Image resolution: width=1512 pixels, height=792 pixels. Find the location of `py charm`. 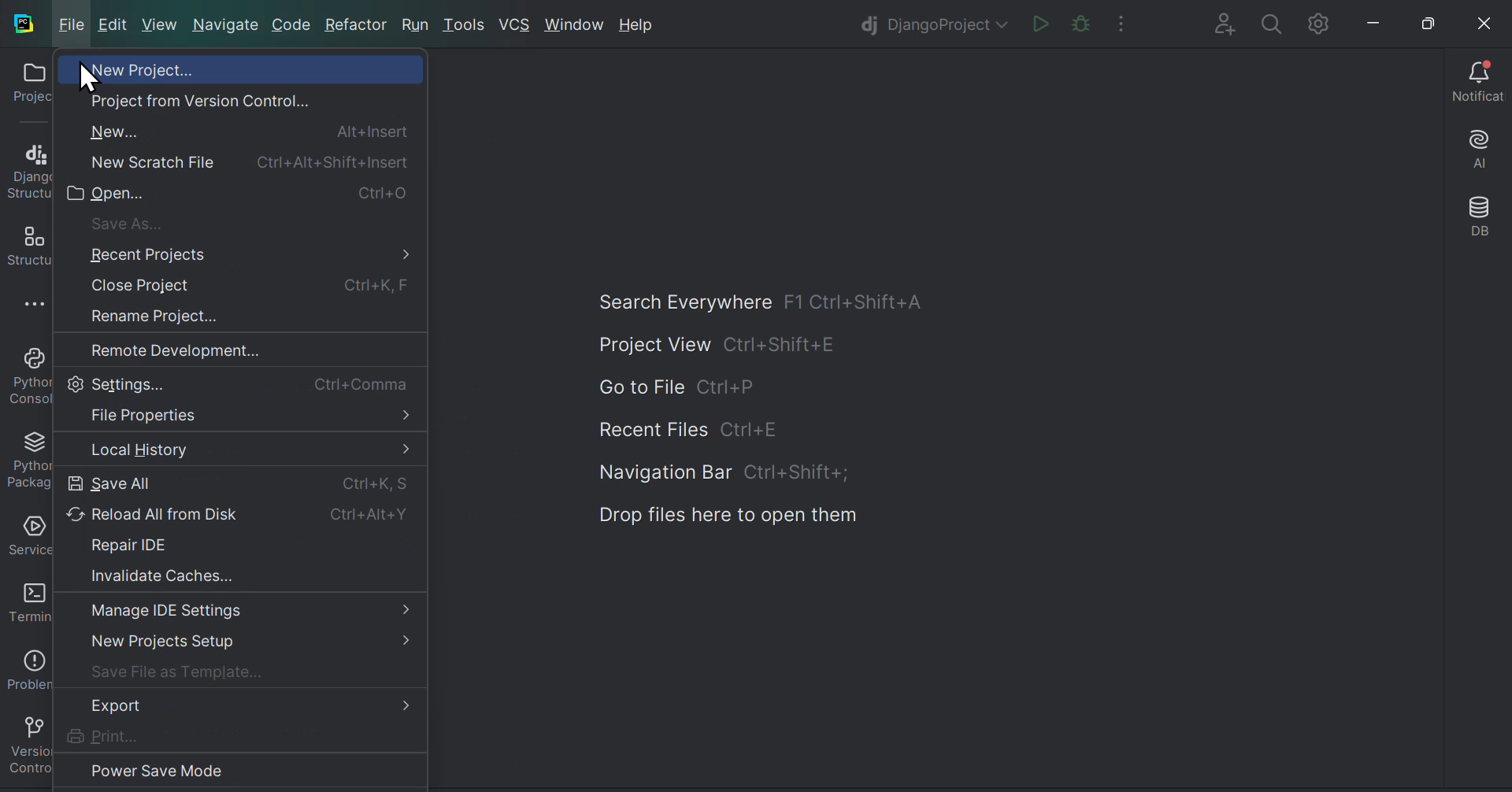

py charm is located at coordinates (25, 21).